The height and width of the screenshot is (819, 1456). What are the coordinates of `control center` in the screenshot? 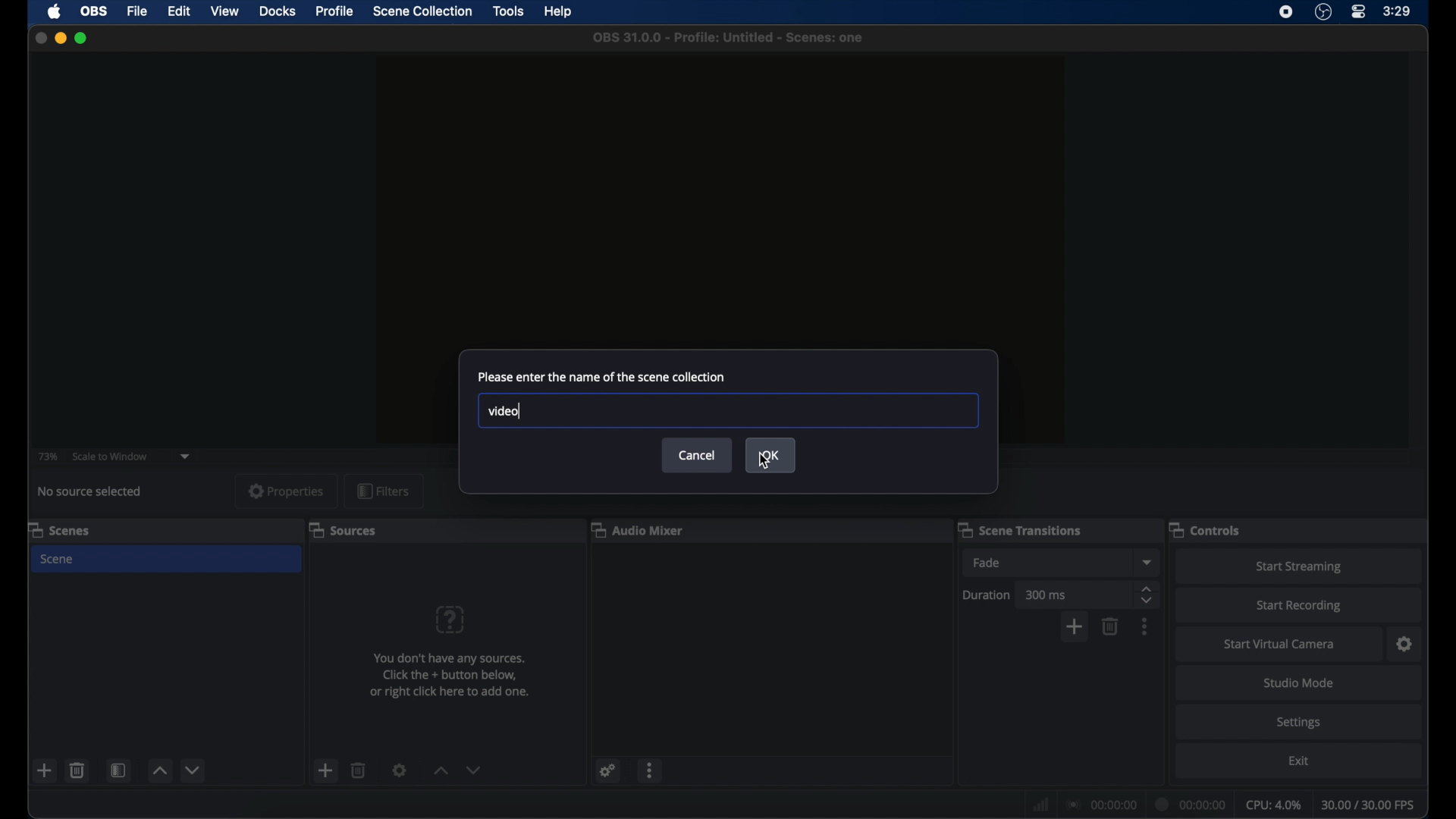 It's located at (1359, 11).